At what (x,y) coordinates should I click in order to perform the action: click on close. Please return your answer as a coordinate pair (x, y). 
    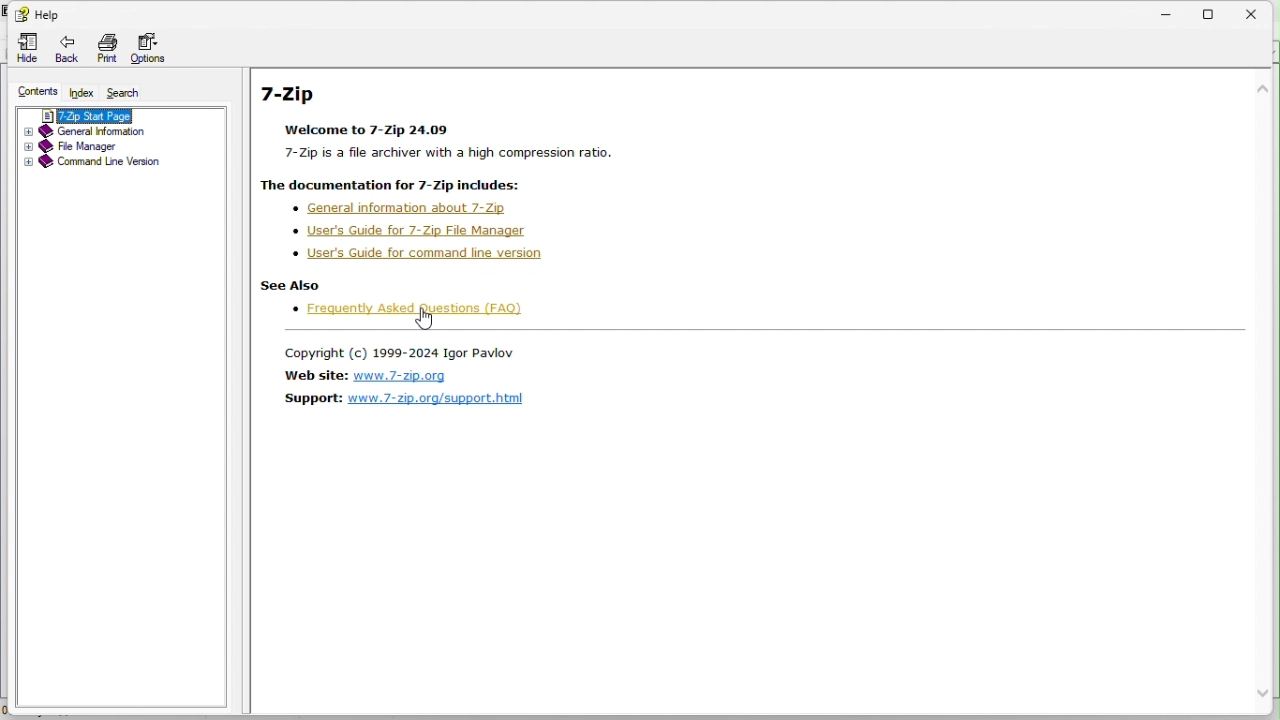
    Looking at the image, I should click on (1258, 13).